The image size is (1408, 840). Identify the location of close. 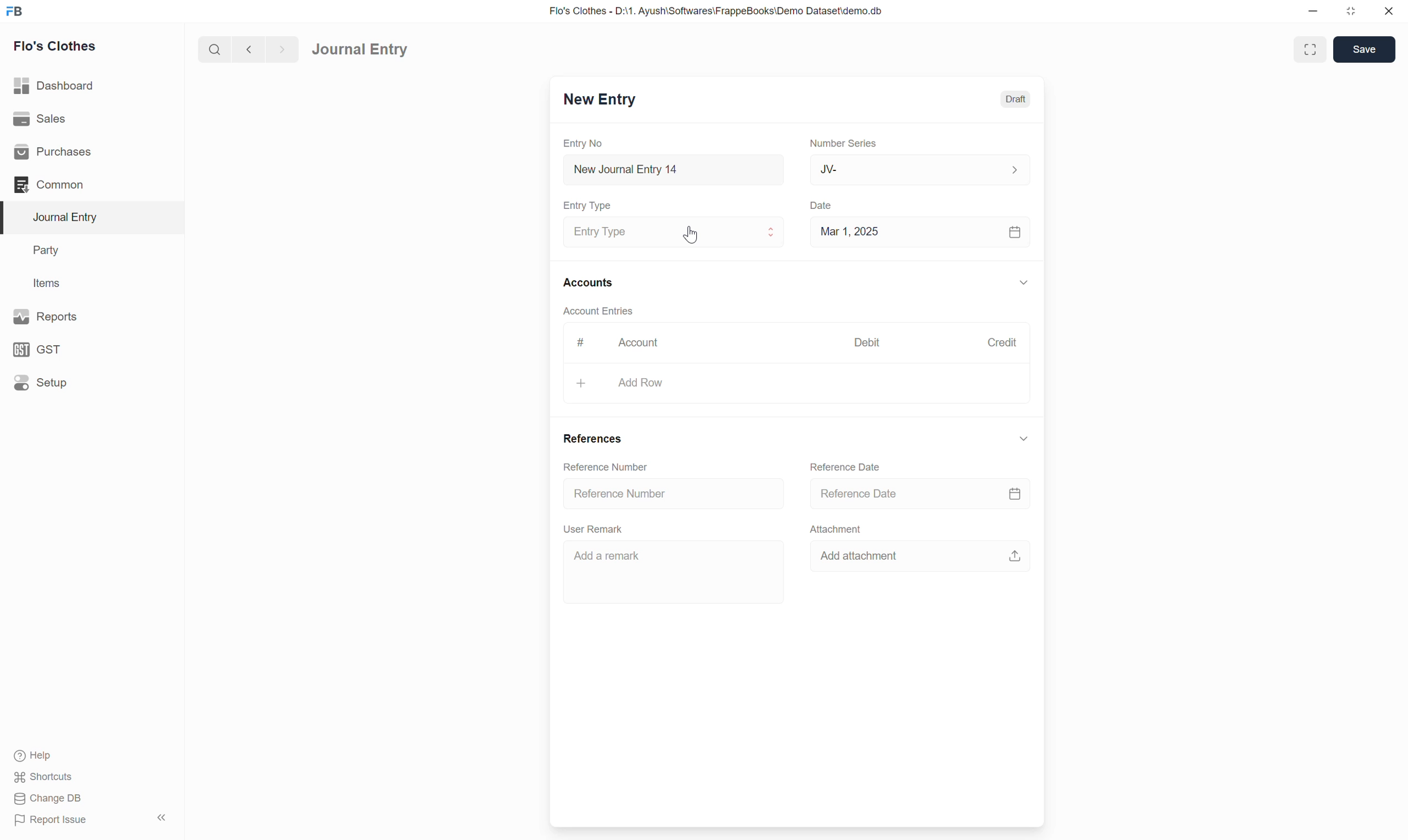
(1389, 11).